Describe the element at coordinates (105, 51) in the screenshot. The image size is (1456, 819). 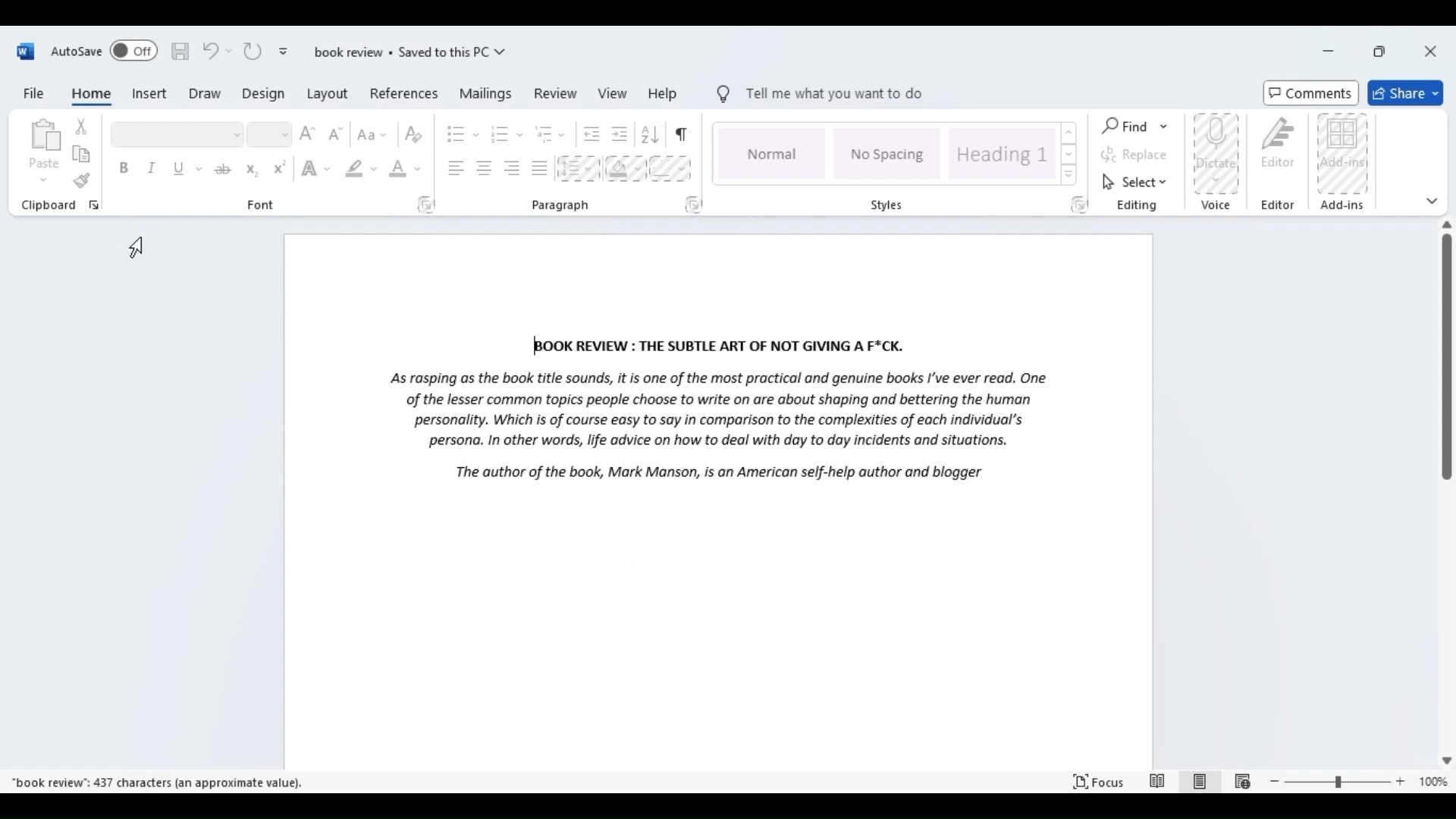
I see `Autosave` at that location.